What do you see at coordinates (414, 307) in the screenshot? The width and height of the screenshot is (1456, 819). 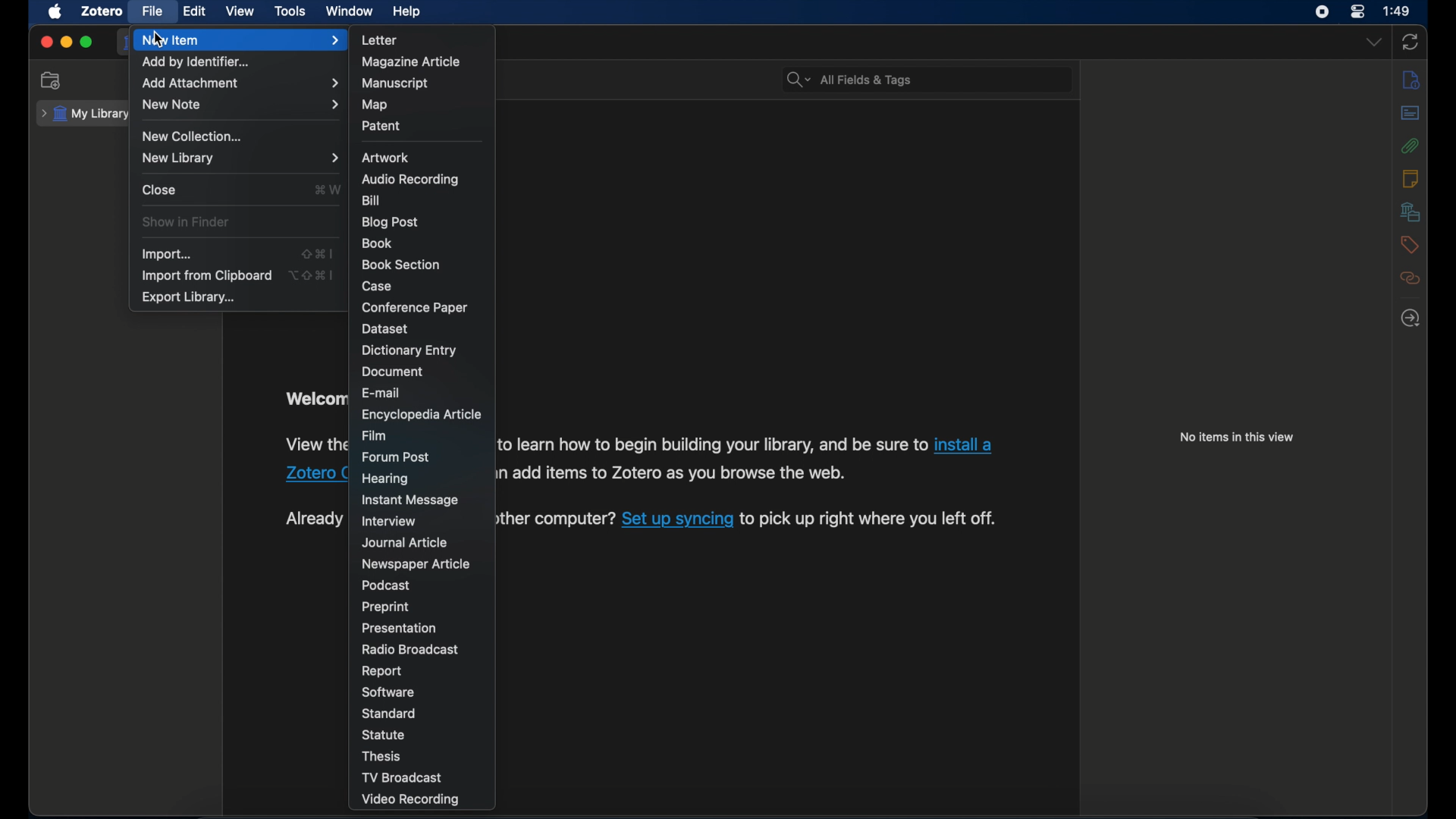 I see `conference paper` at bounding box center [414, 307].